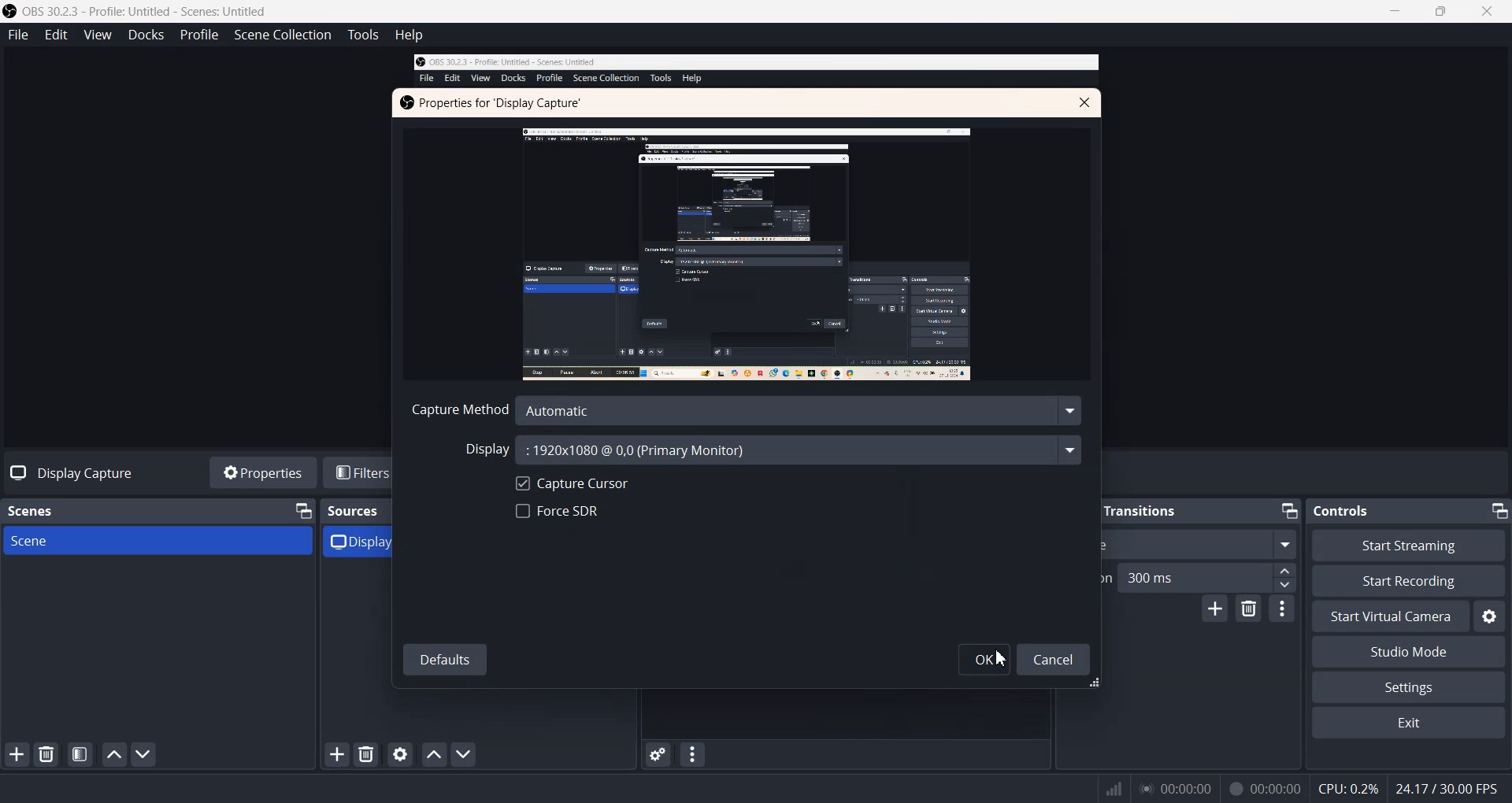 This screenshot has height=803, width=1512. What do you see at coordinates (445, 657) in the screenshot?
I see `Defaults` at bounding box center [445, 657].